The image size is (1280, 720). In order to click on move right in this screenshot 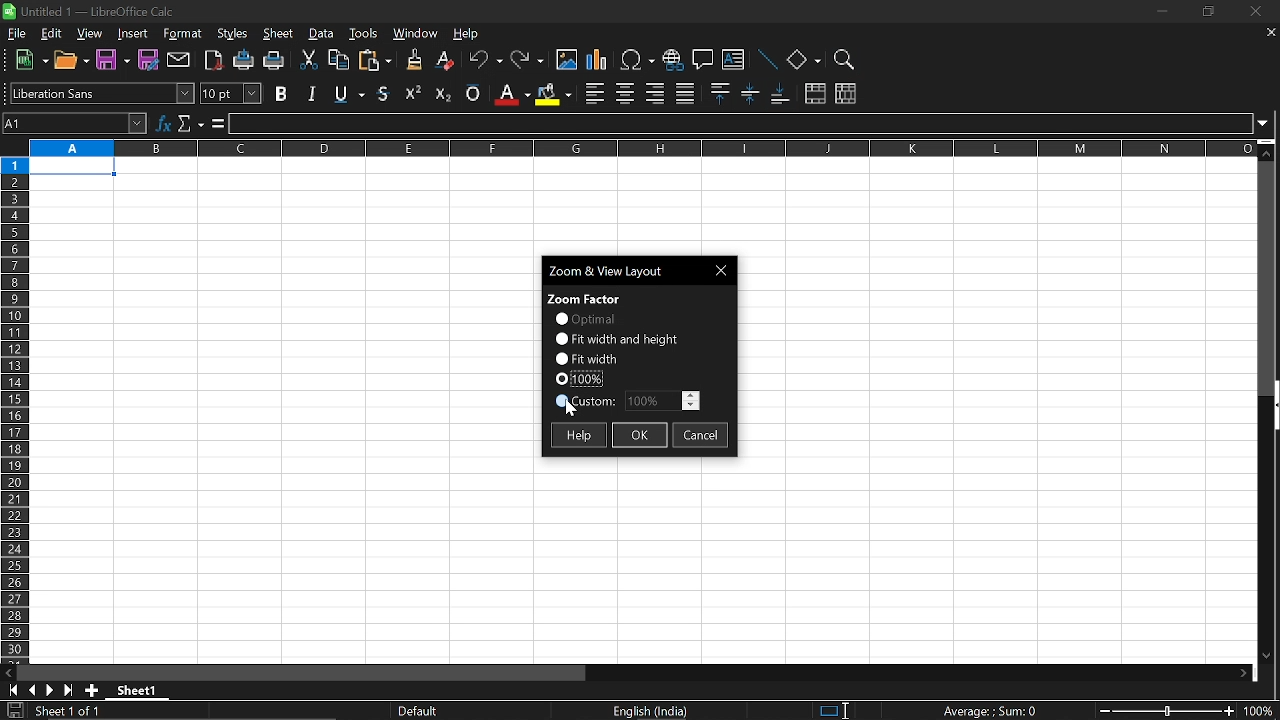, I will do `click(1248, 673)`.